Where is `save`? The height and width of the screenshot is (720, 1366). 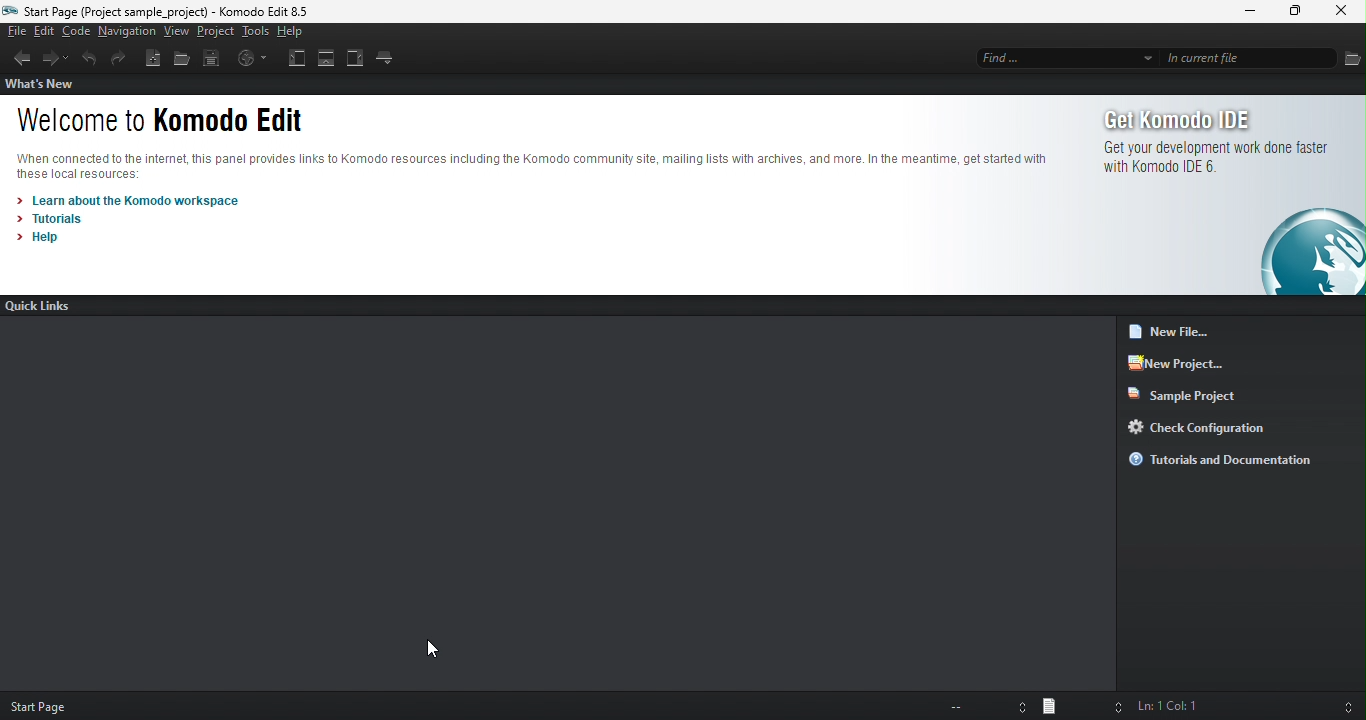 save is located at coordinates (211, 56).